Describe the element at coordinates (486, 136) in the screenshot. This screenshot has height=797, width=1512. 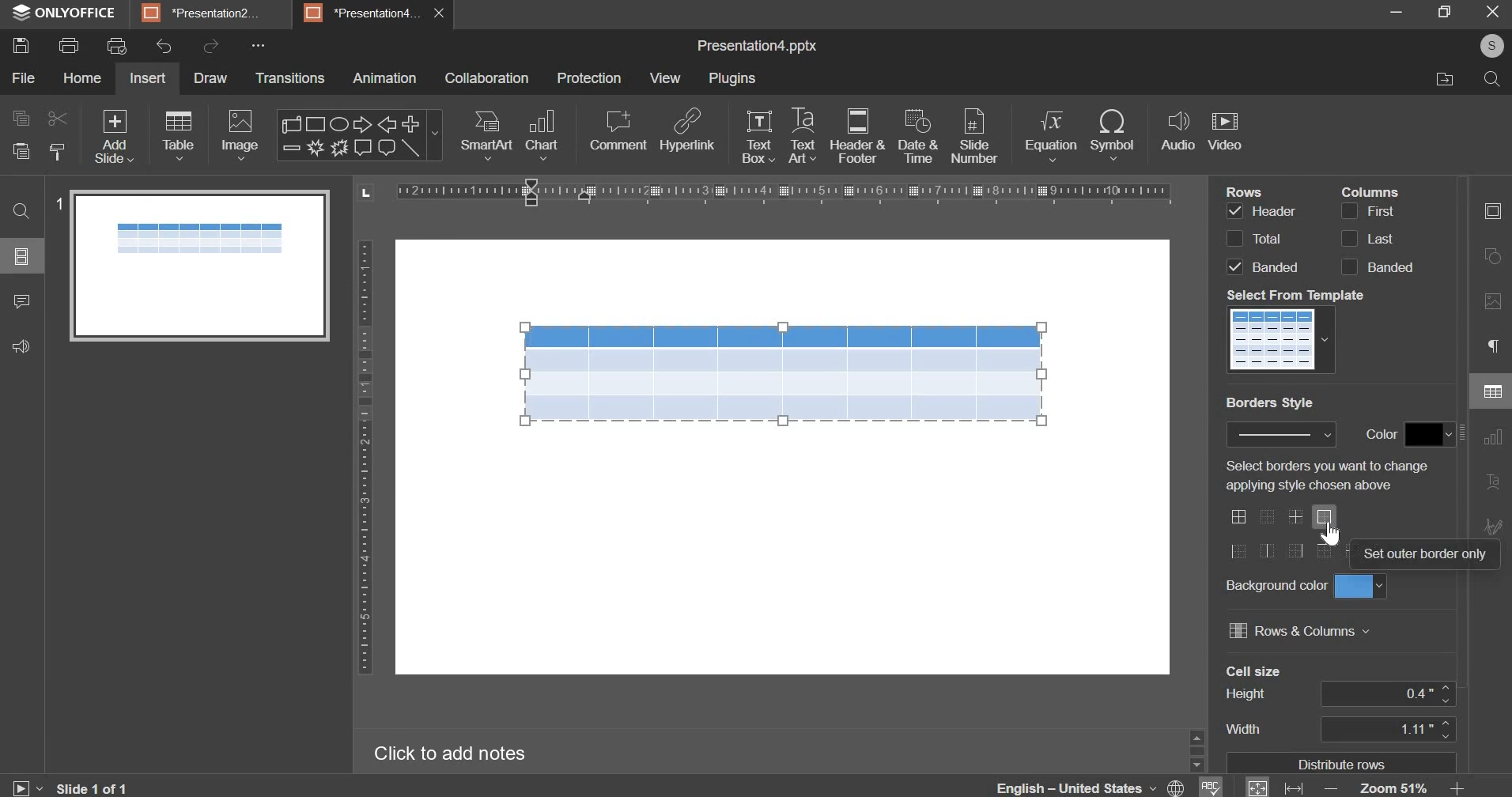
I see `smart art` at that location.